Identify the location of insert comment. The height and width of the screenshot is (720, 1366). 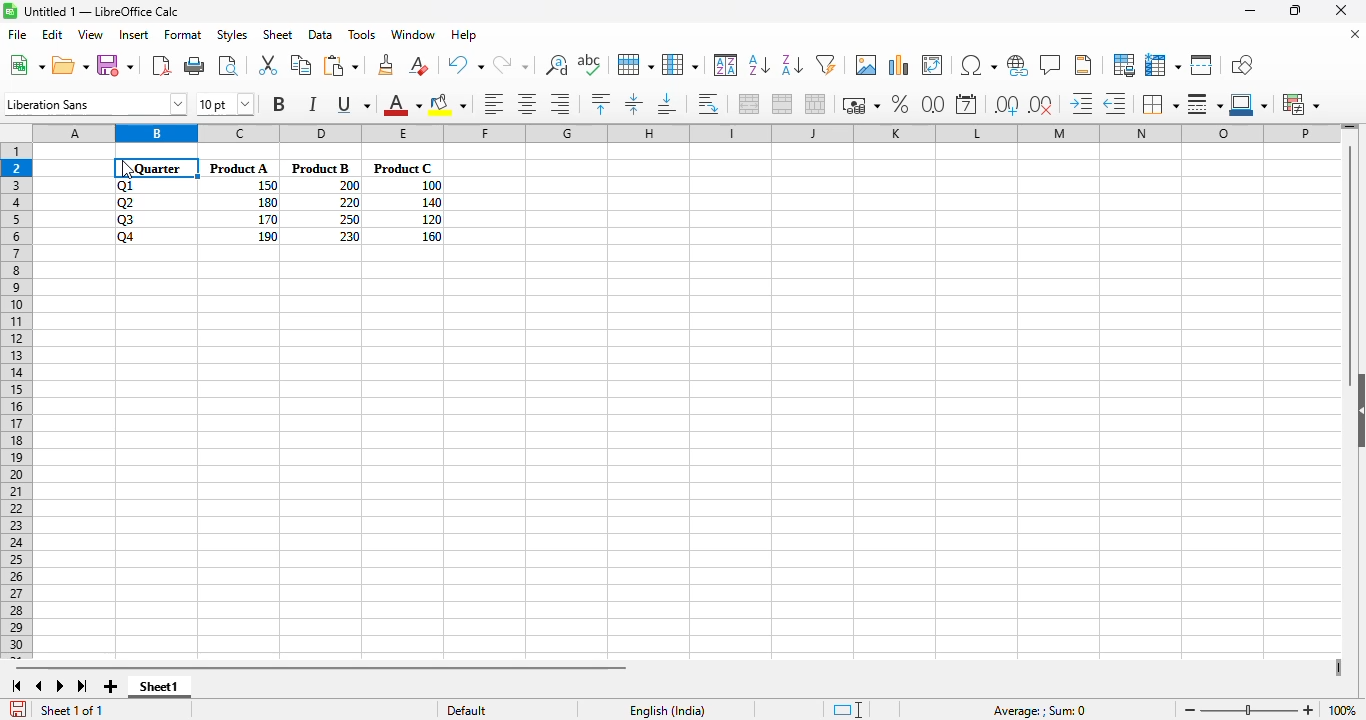
(1051, 65).